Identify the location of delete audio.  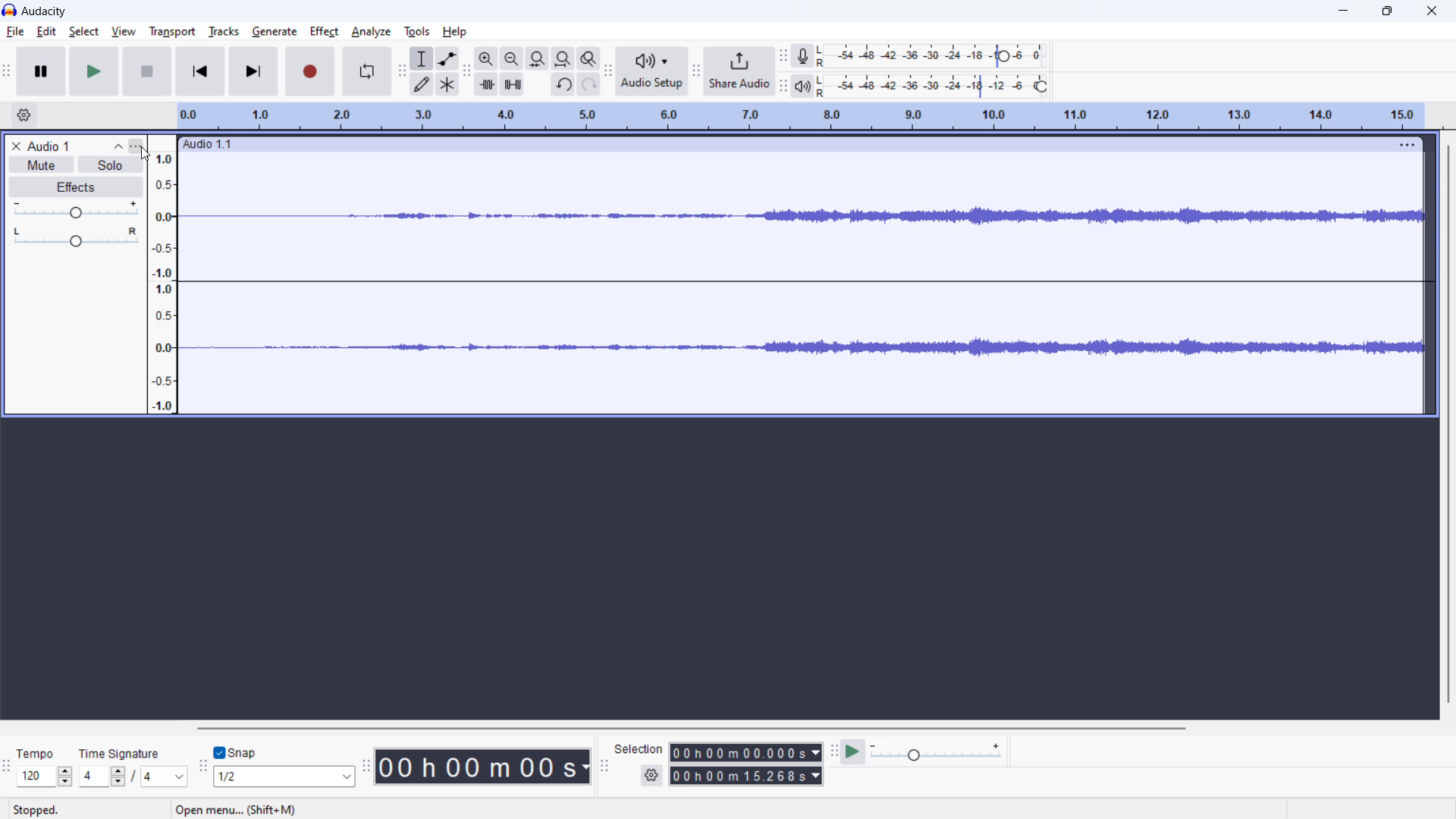
(15, 146).